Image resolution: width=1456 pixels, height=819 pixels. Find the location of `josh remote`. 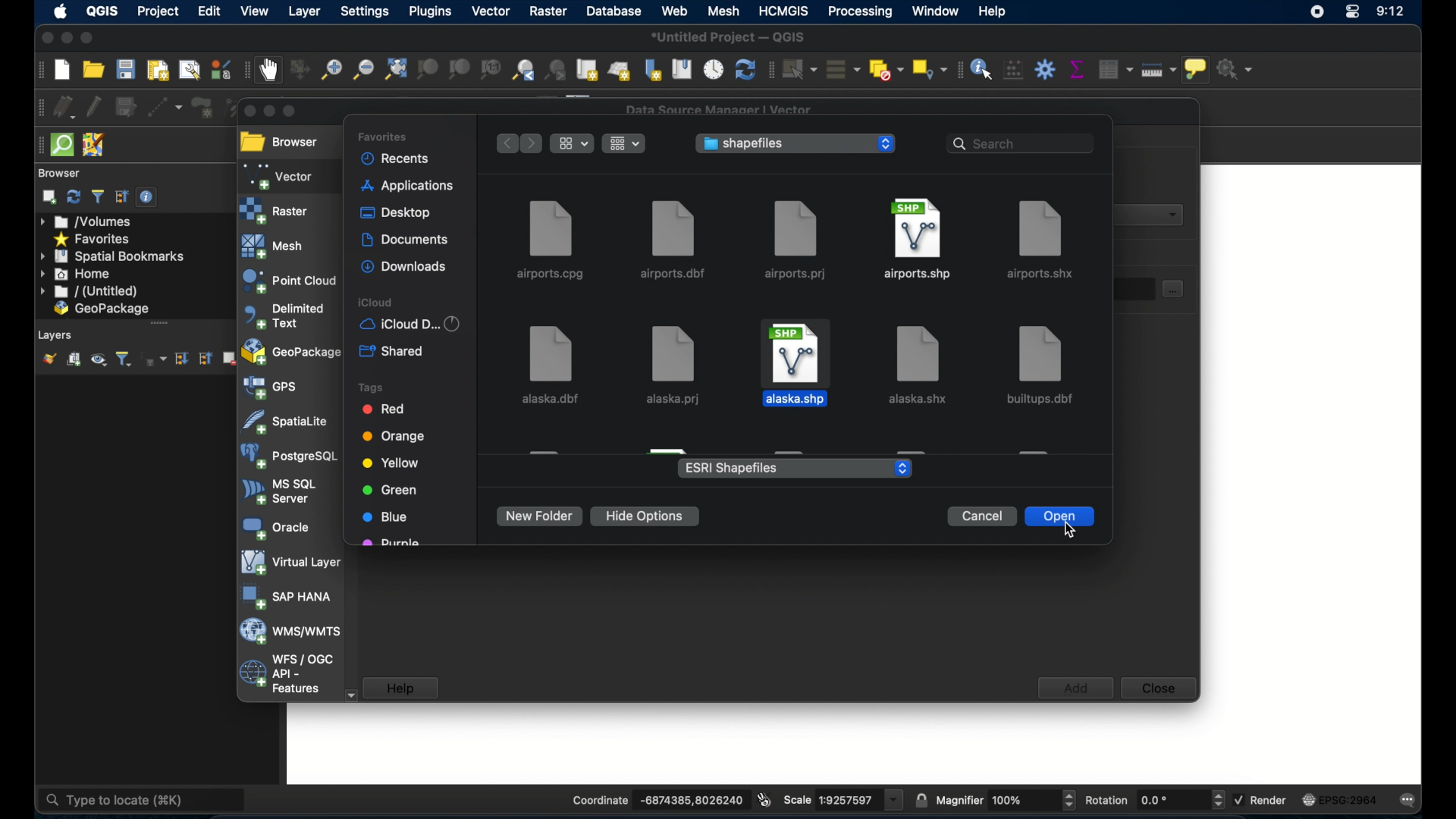

josh remote is located at coordinates (94, 143).